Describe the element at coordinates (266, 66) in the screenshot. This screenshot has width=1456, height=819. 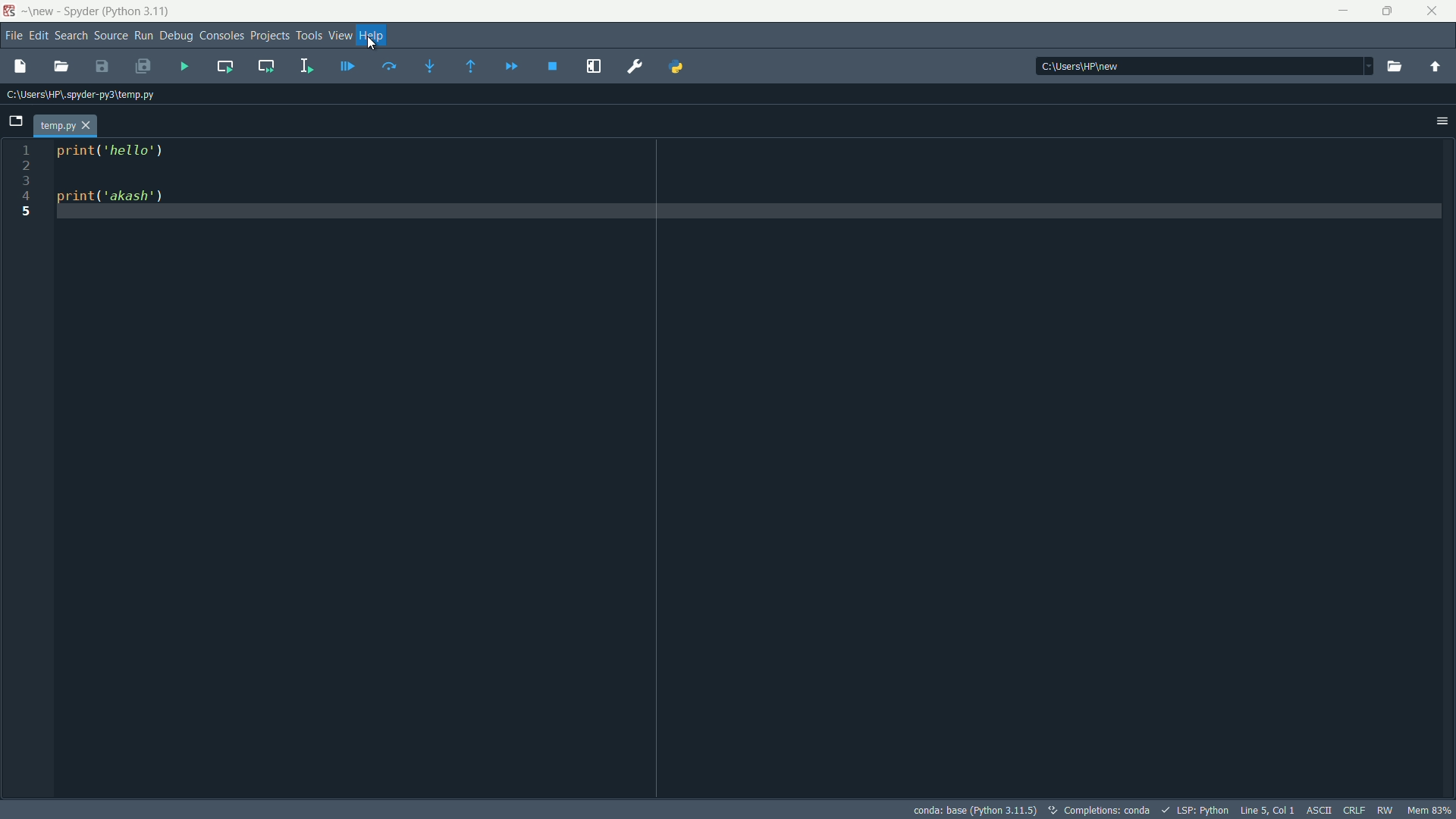
I see `run current cell and go to the next one` at that location.